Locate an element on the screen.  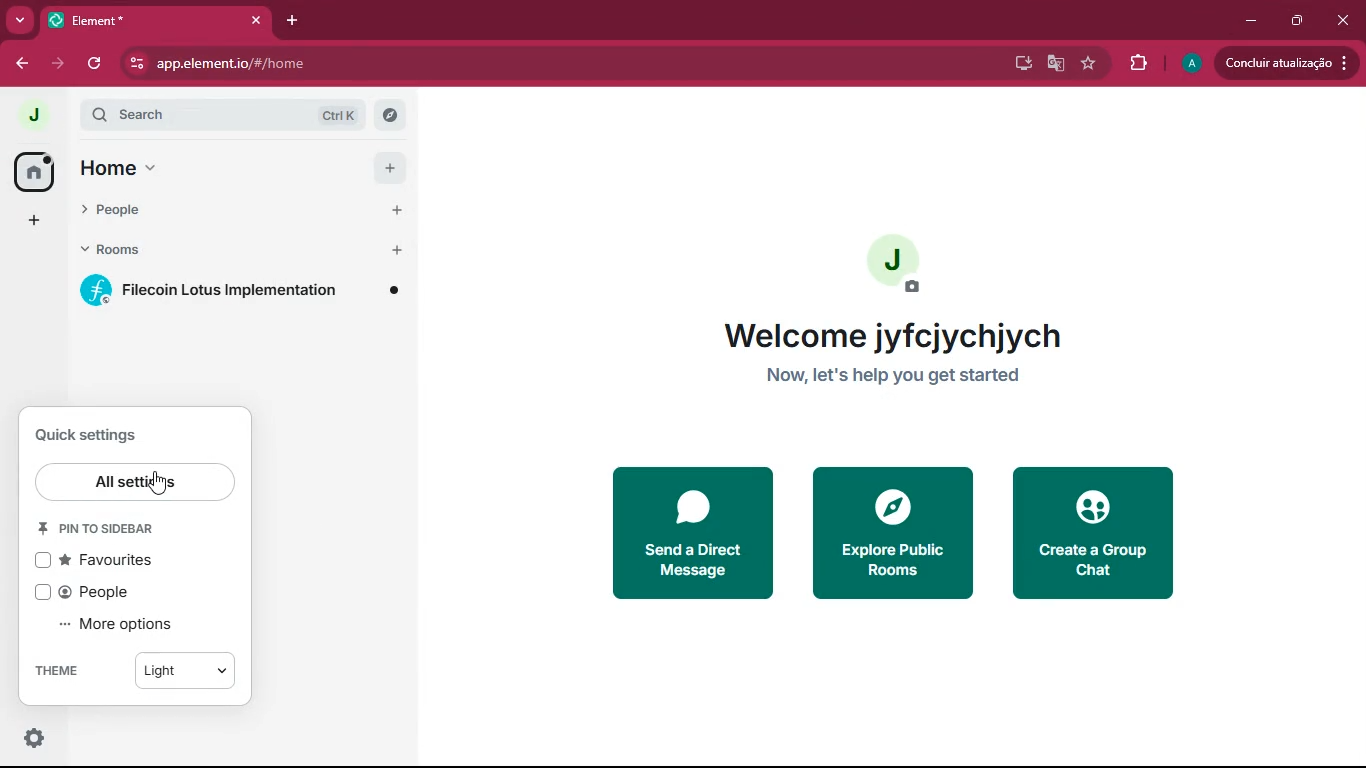
add button is located at coordinates (391, 168).